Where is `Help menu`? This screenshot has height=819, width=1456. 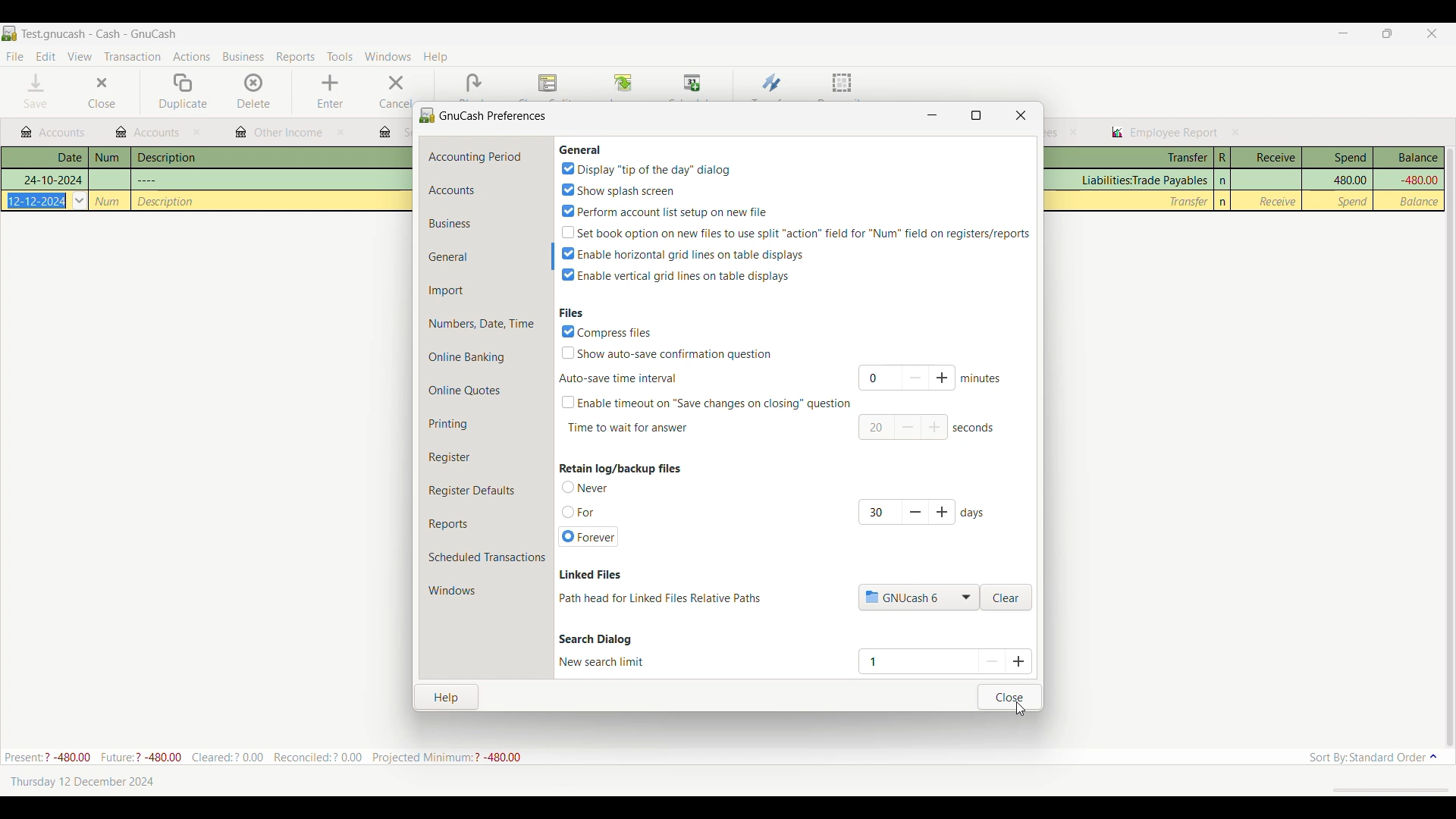
Help menu is located at coordinates (435, 58).